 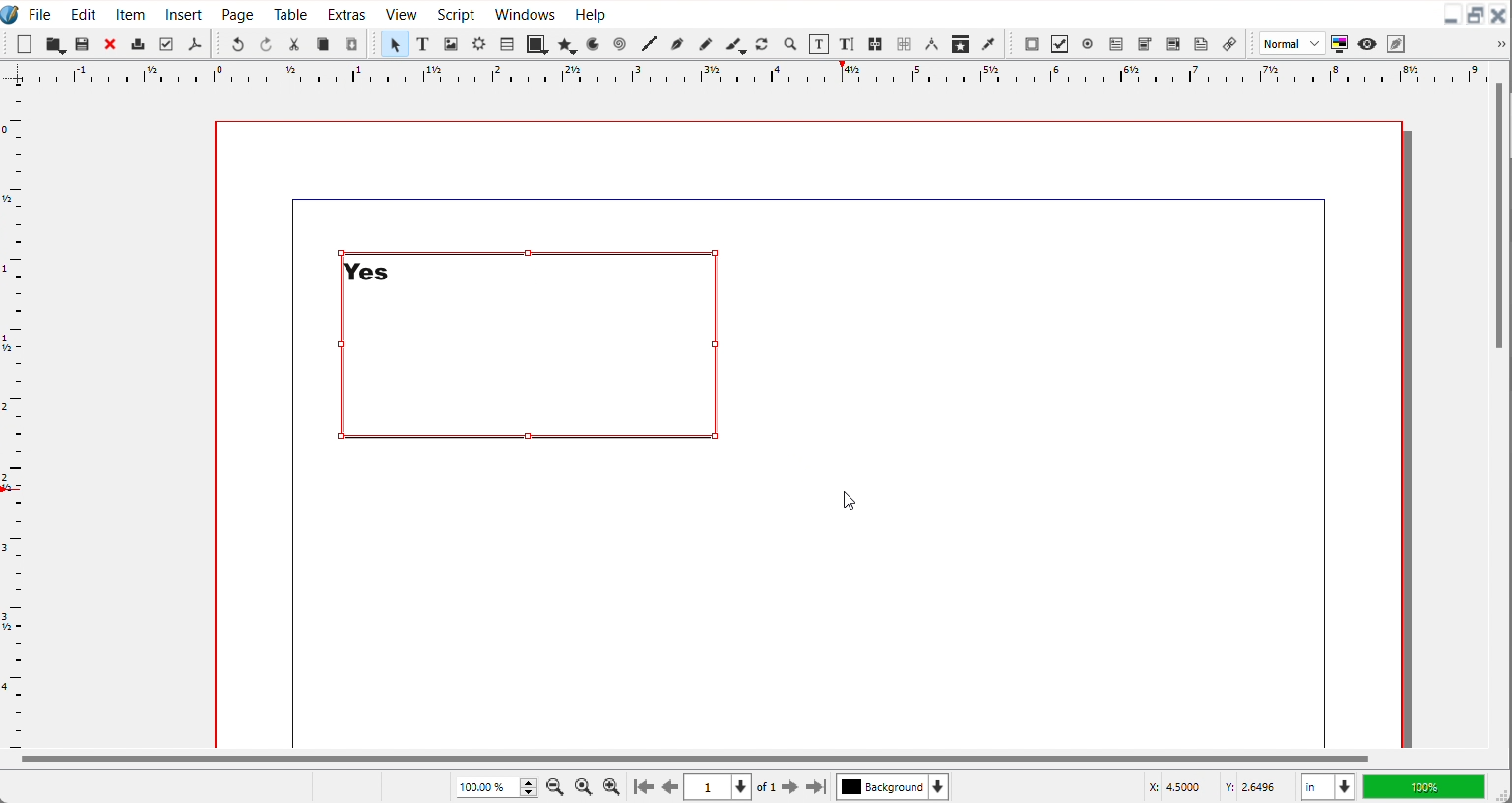 What do you see at coordinates (351, 43) in the screenshot?
I see `Paste` at bounding box center [351, 43].